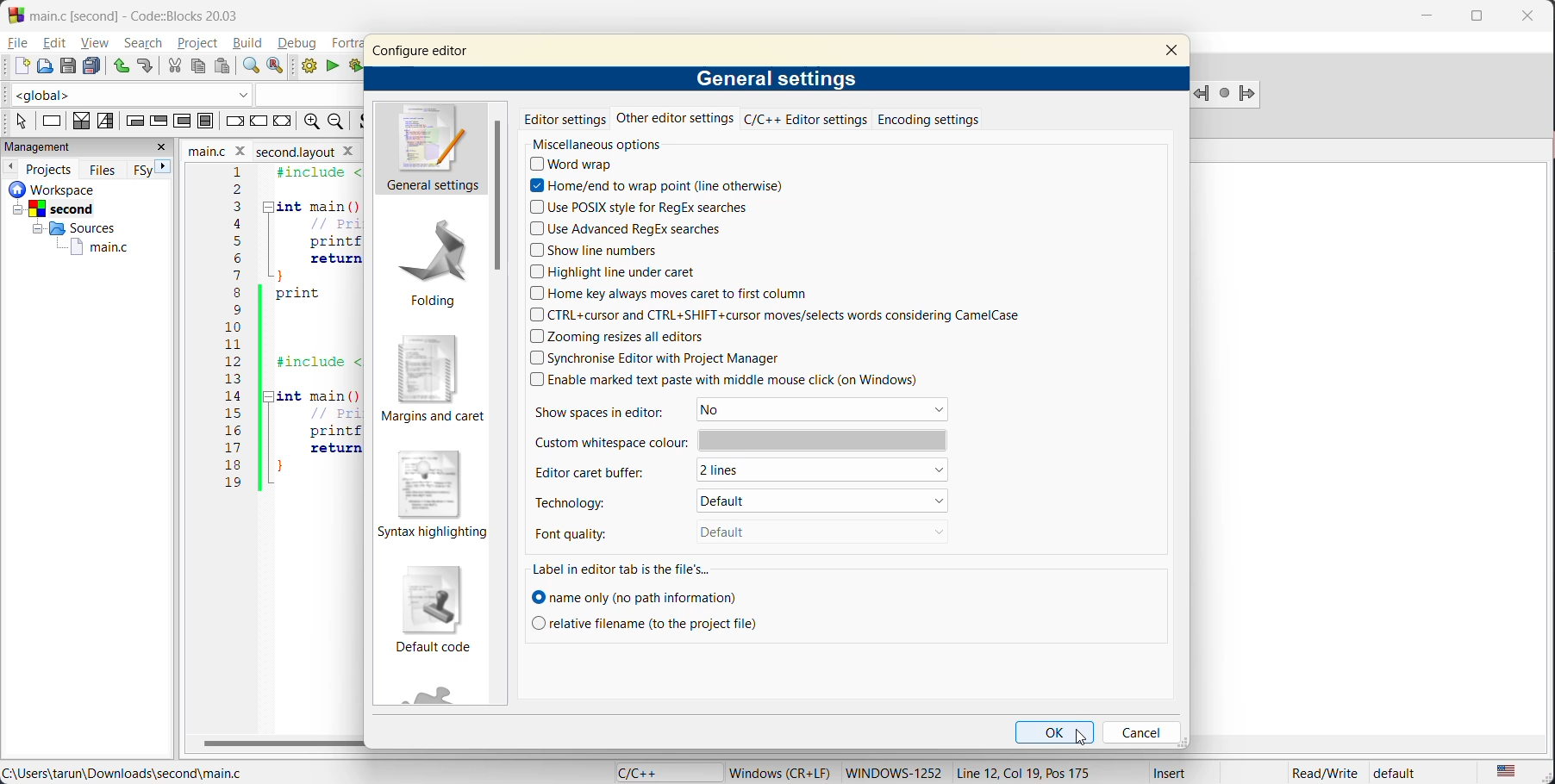 The width and height of the screenshot is (1555, 784). What do you see at coordinates (251, 68) in the screenshot?
I see `find` at bounding box center [251, 68].